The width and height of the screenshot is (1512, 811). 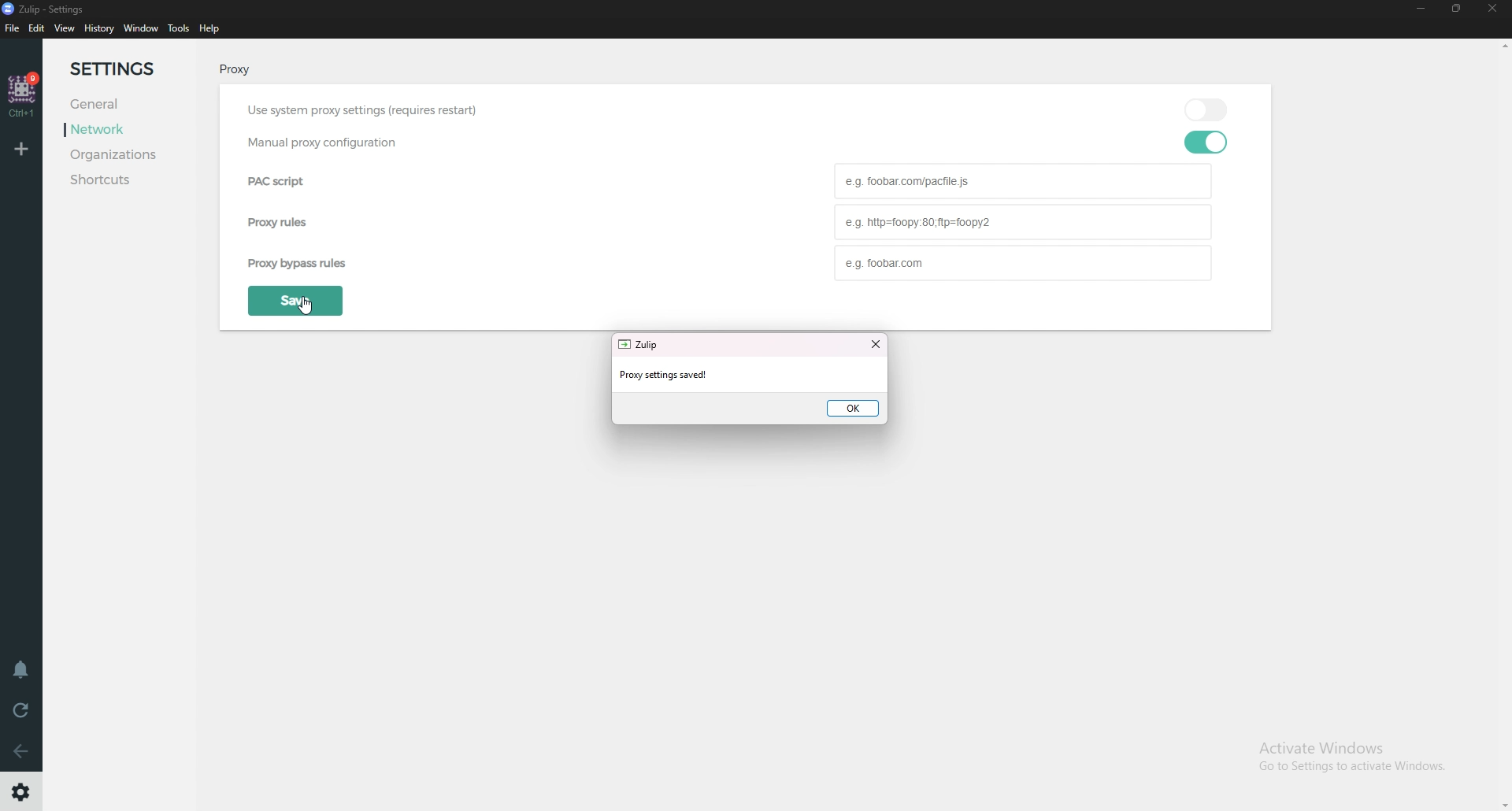 What do you see at coordinates (386, 109) in the screenshot?
I see `Use system proxy settings` at bounding box center [386, 109].